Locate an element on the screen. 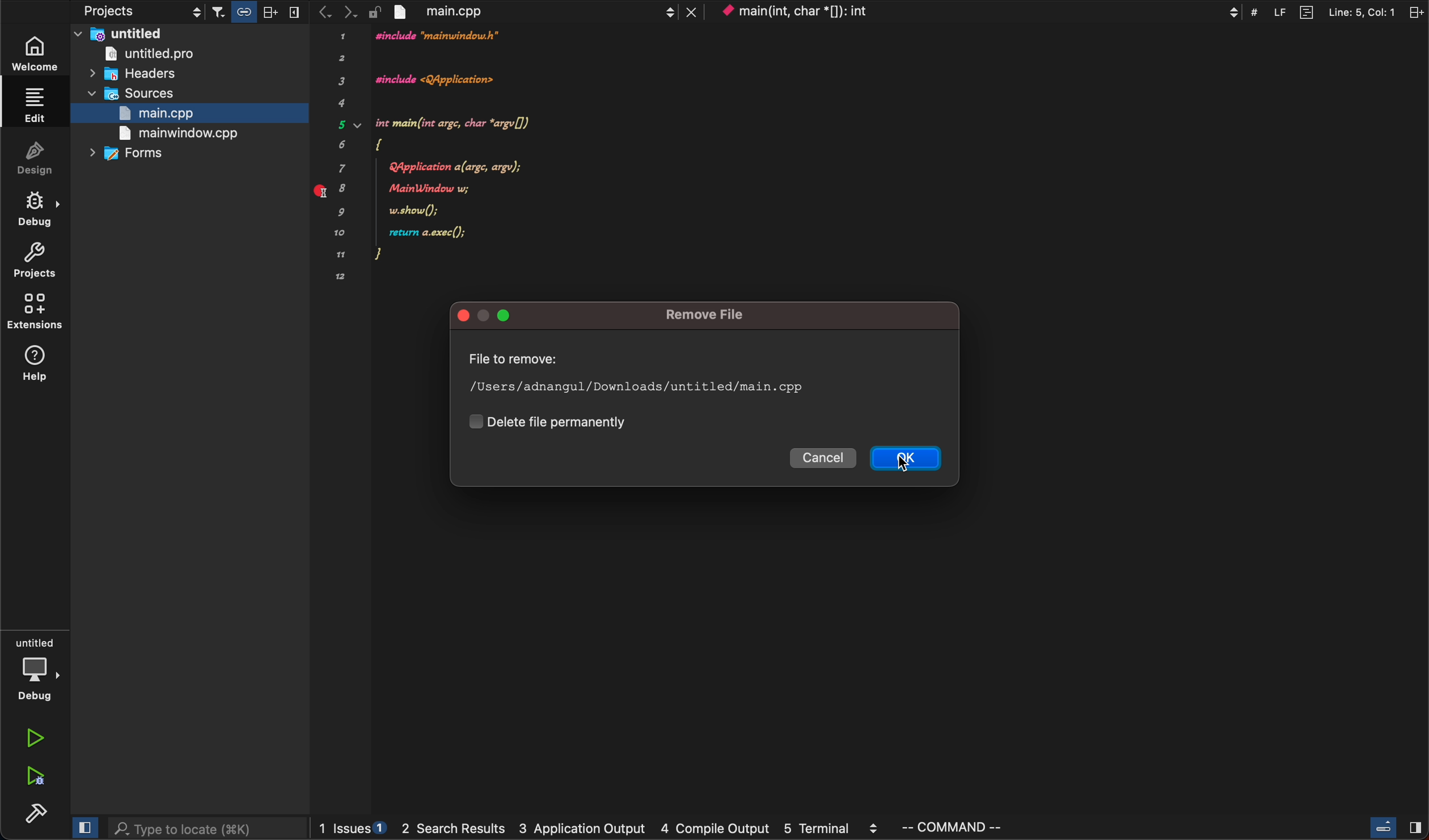 The height and width of the screenshot is (840, 1429). edit is located at coordinates (36, 107).